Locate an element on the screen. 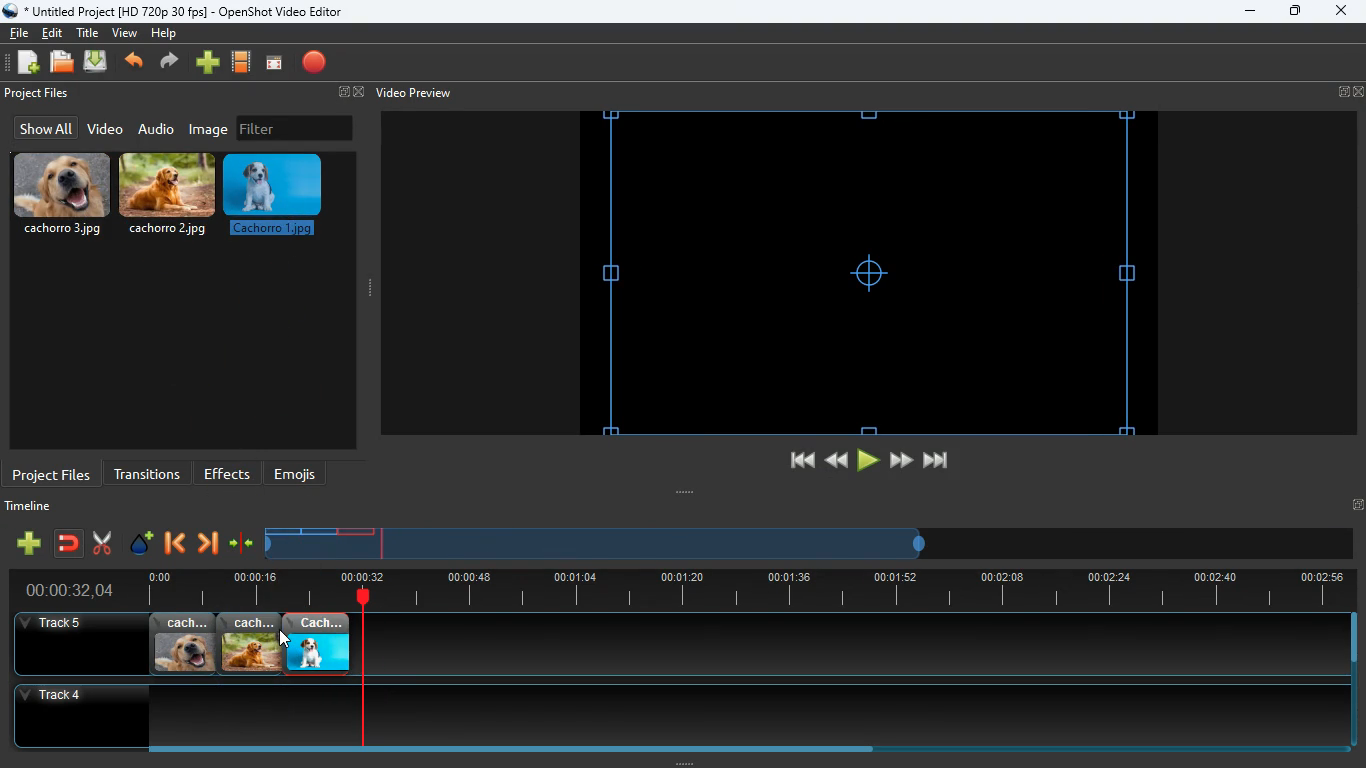 The image size is (1366, 768). Horizontal slide bar is located at coordinates (735, 749).